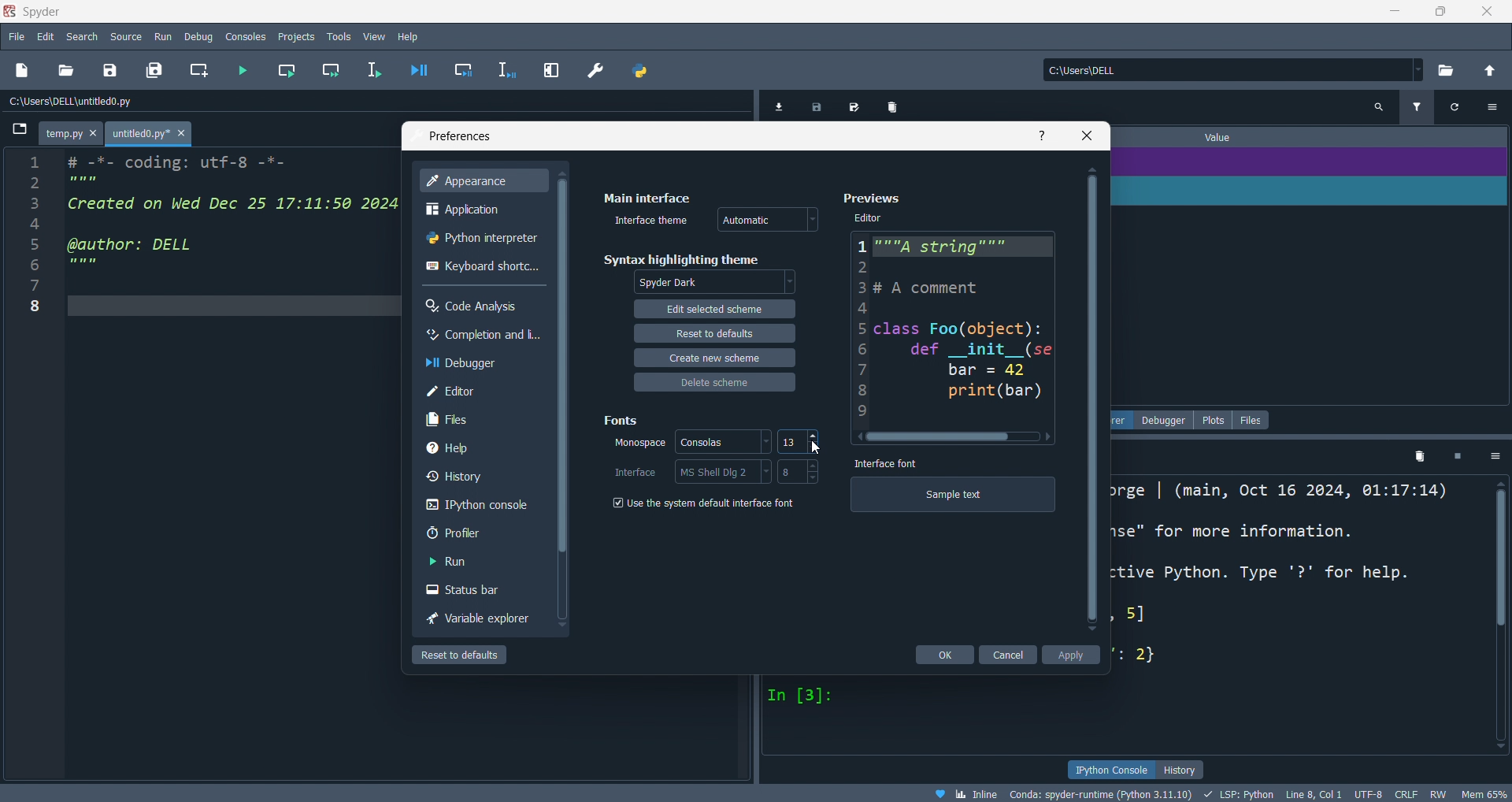  What do you see at coordinates (70, 71) in the screenshot?
I see `open fil` at bounding box center [70, 71].